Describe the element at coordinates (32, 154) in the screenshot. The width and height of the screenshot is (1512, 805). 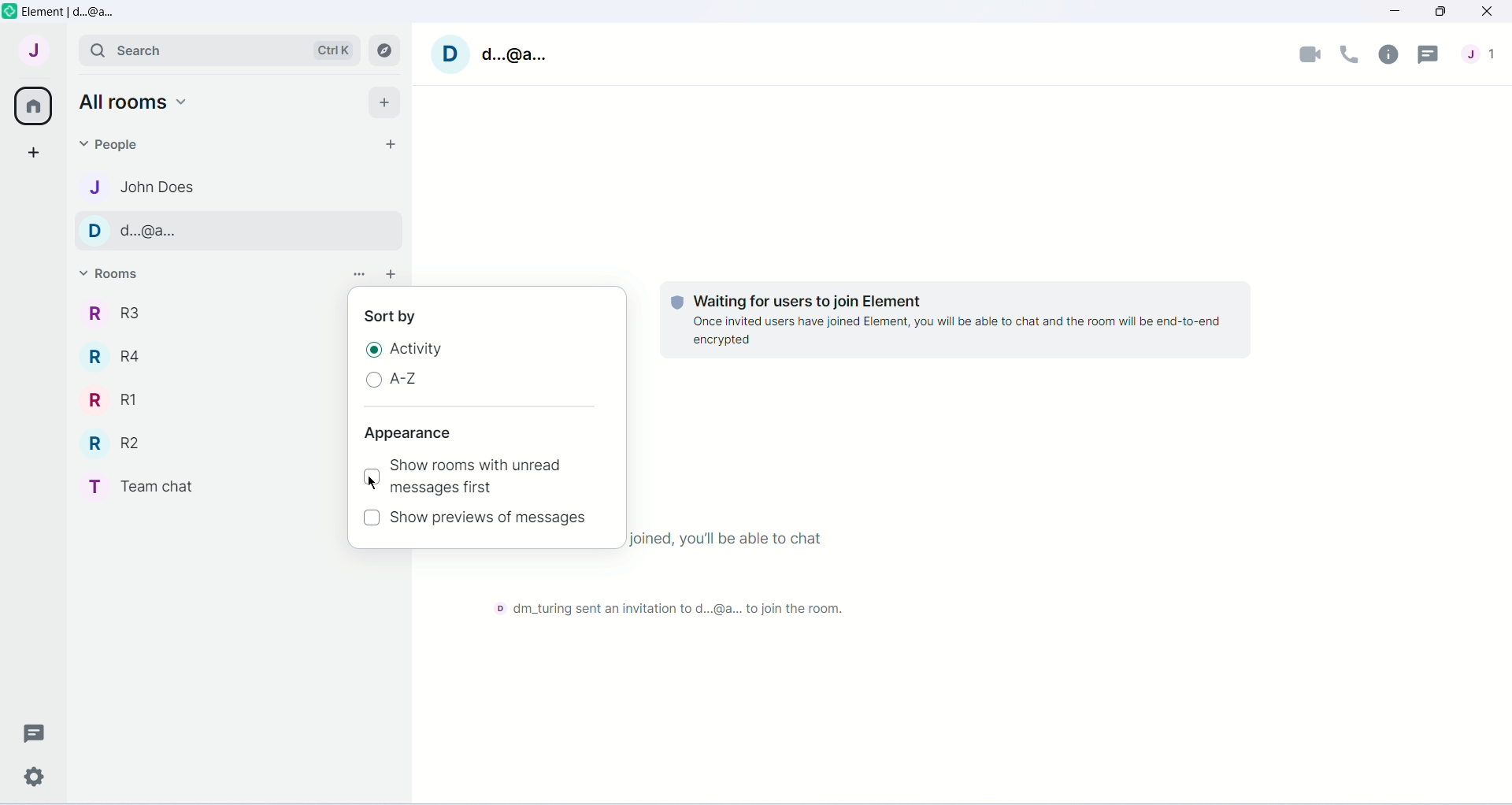
I see `Create a space` at that location.